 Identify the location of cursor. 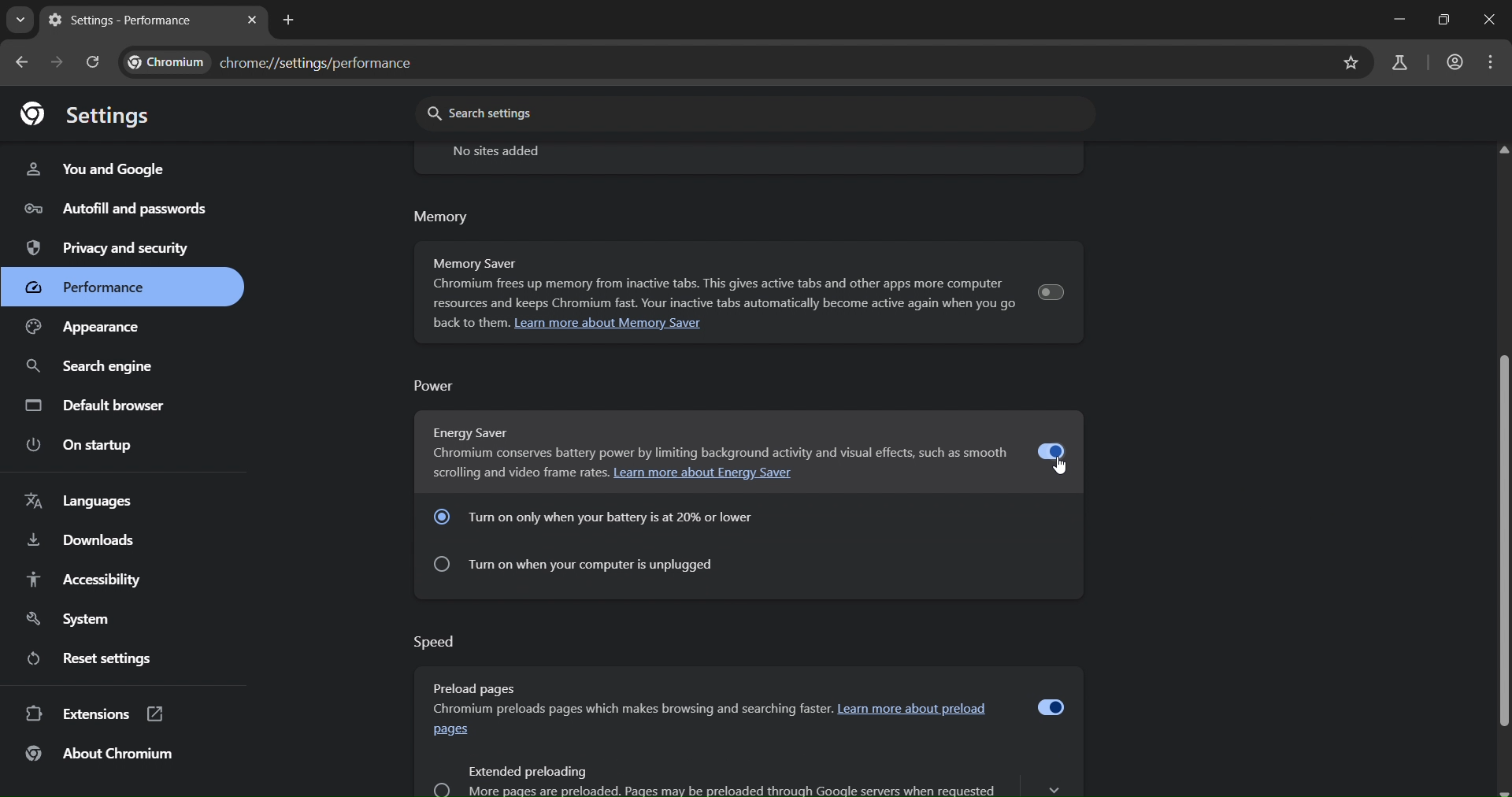
(1062, 470).